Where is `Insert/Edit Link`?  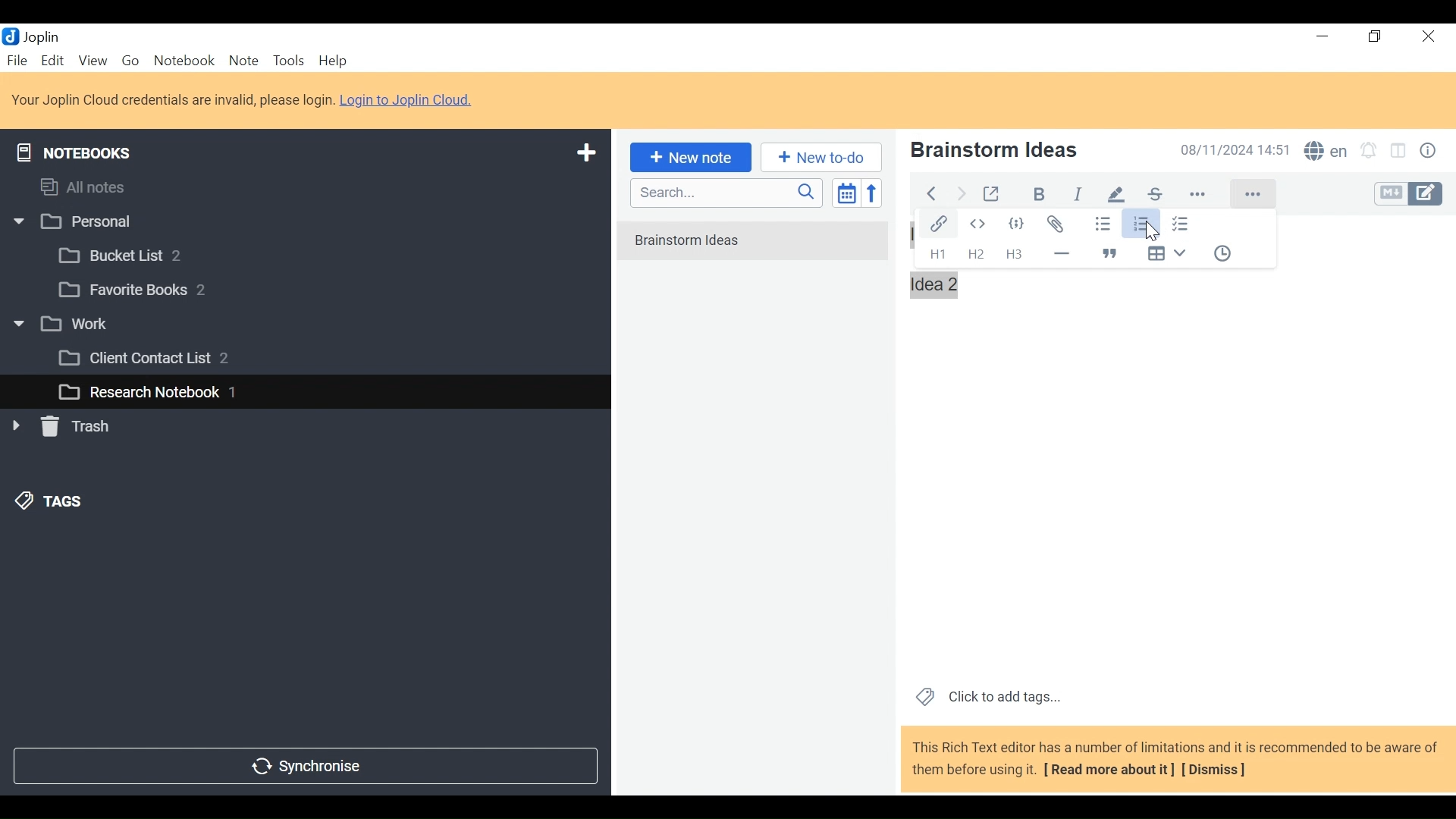
Insert/Edit Link is located at coordinates (940, 224).